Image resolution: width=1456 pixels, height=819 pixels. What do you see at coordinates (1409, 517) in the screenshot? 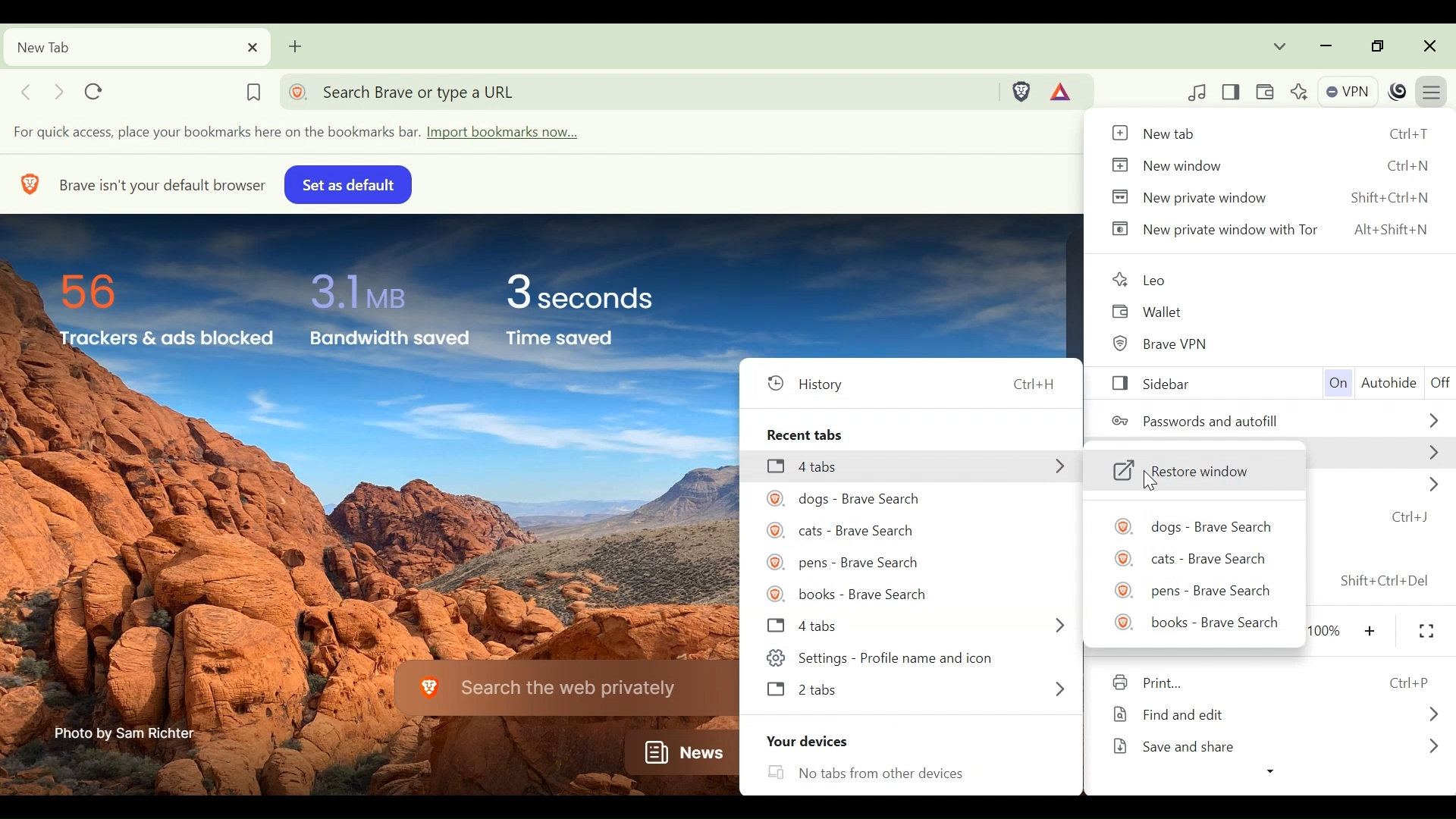
I see `Ctrl+)` at bounding box center [1409, 517].